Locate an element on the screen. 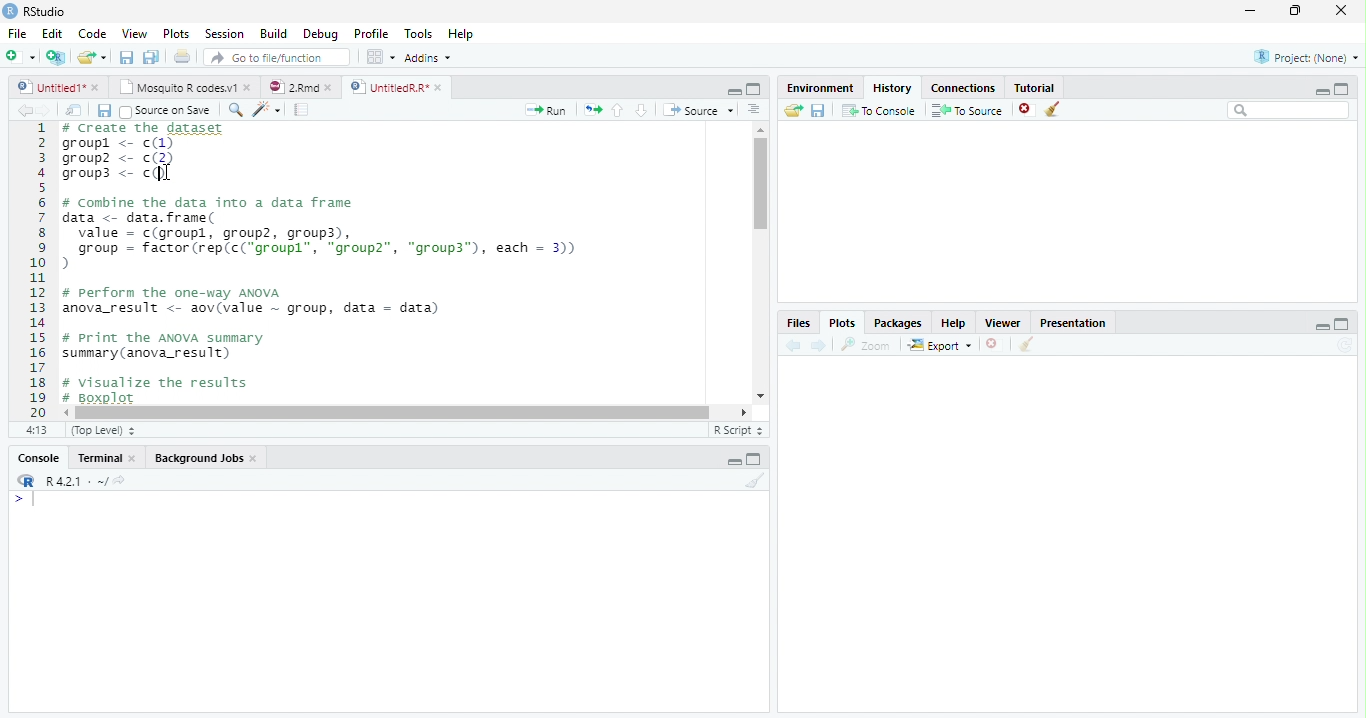 This screenshot has width=1366, height=718. maximize is located at coordinates (1345, 88).